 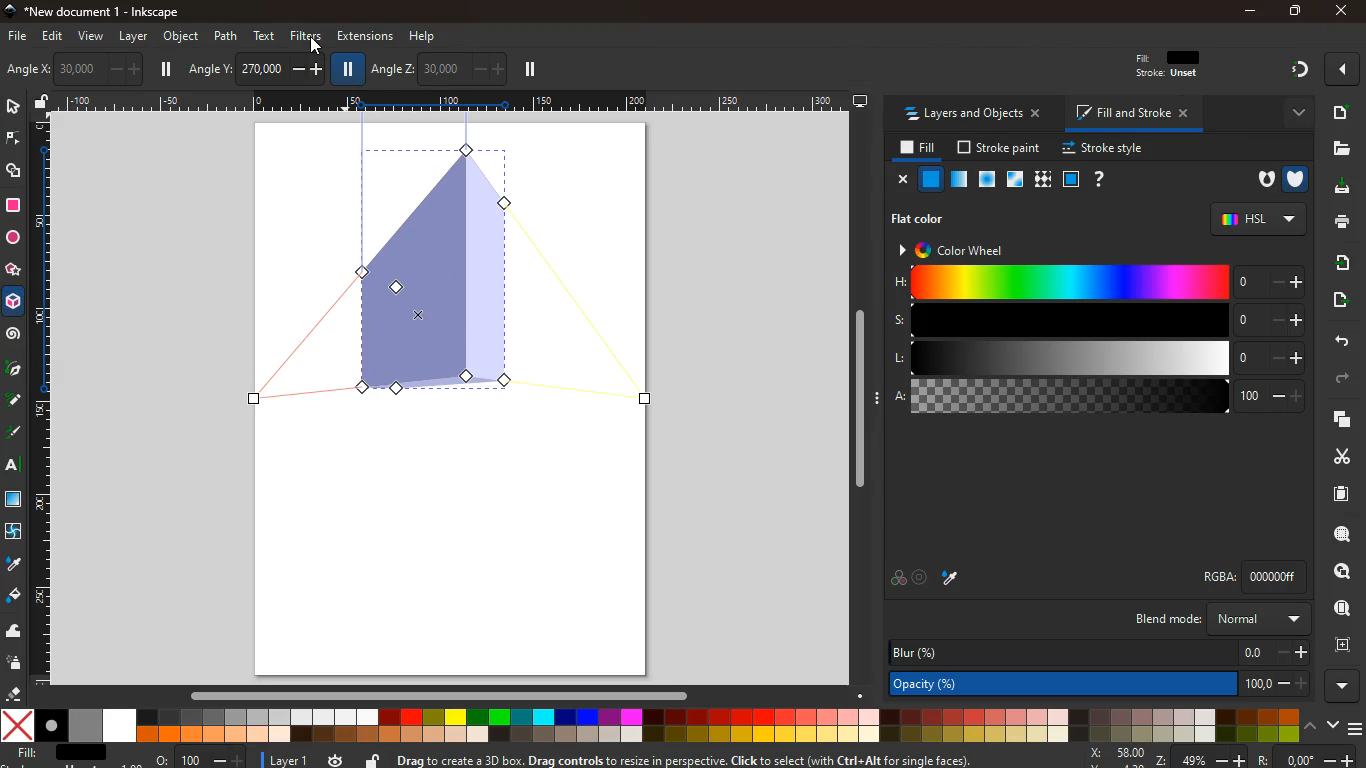 What do you see at coordinates (1334, 456) in the screenshot?
I see `cut` at bounding box center [1334, 456].